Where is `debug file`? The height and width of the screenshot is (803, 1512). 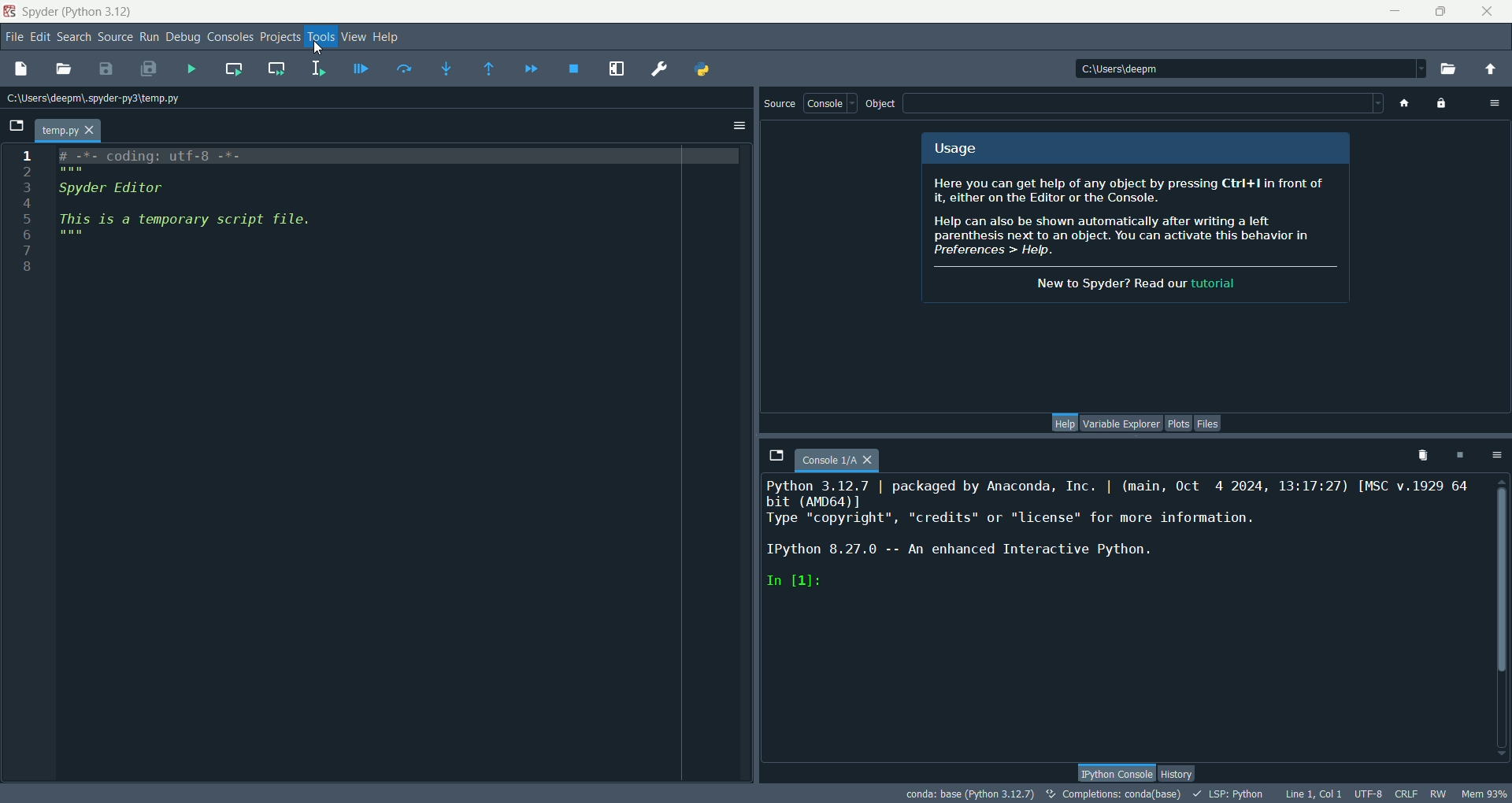
debug file is located at coordinates (361, 69).